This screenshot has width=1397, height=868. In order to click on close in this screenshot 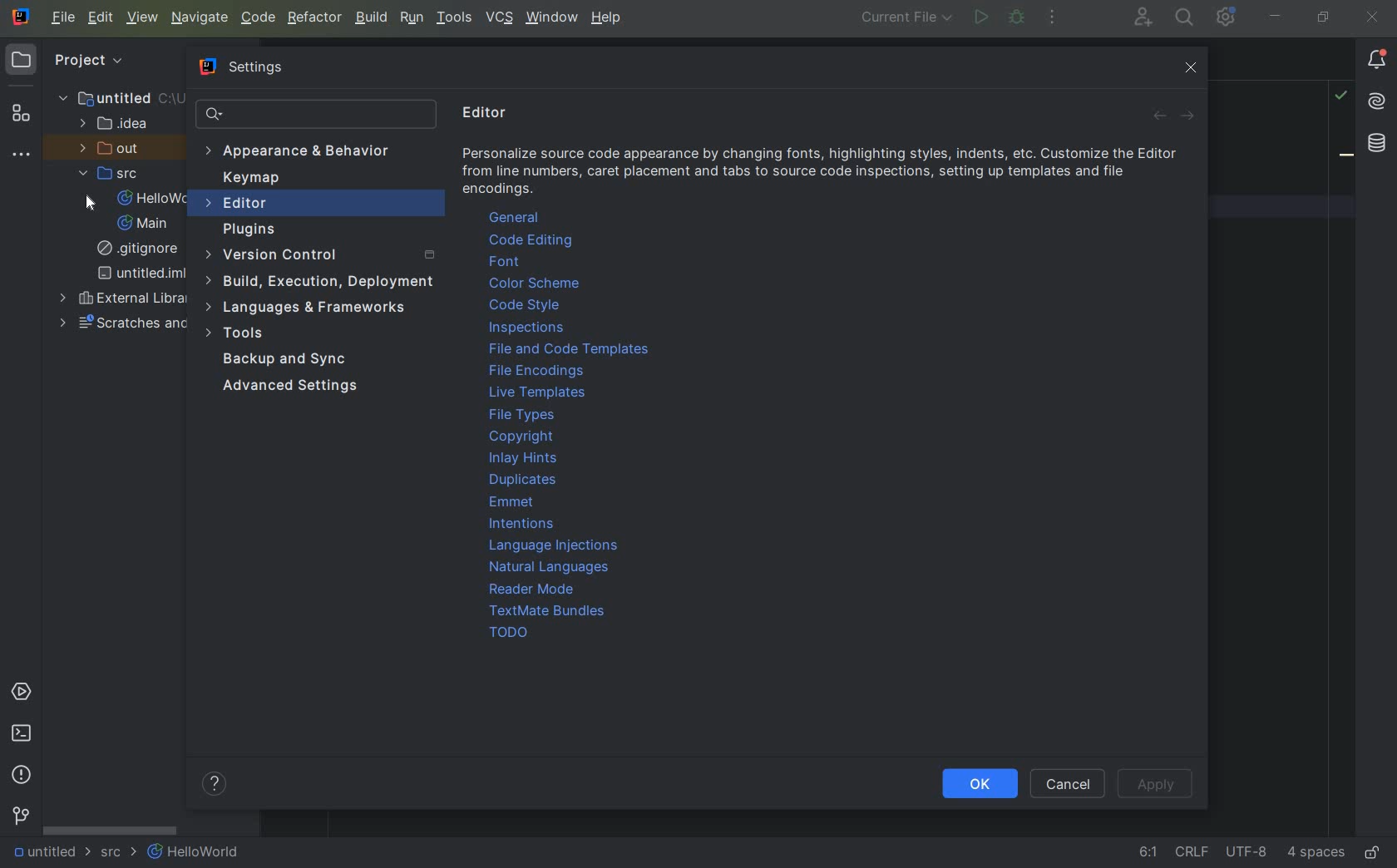, I will do `click(1183, 66)`.